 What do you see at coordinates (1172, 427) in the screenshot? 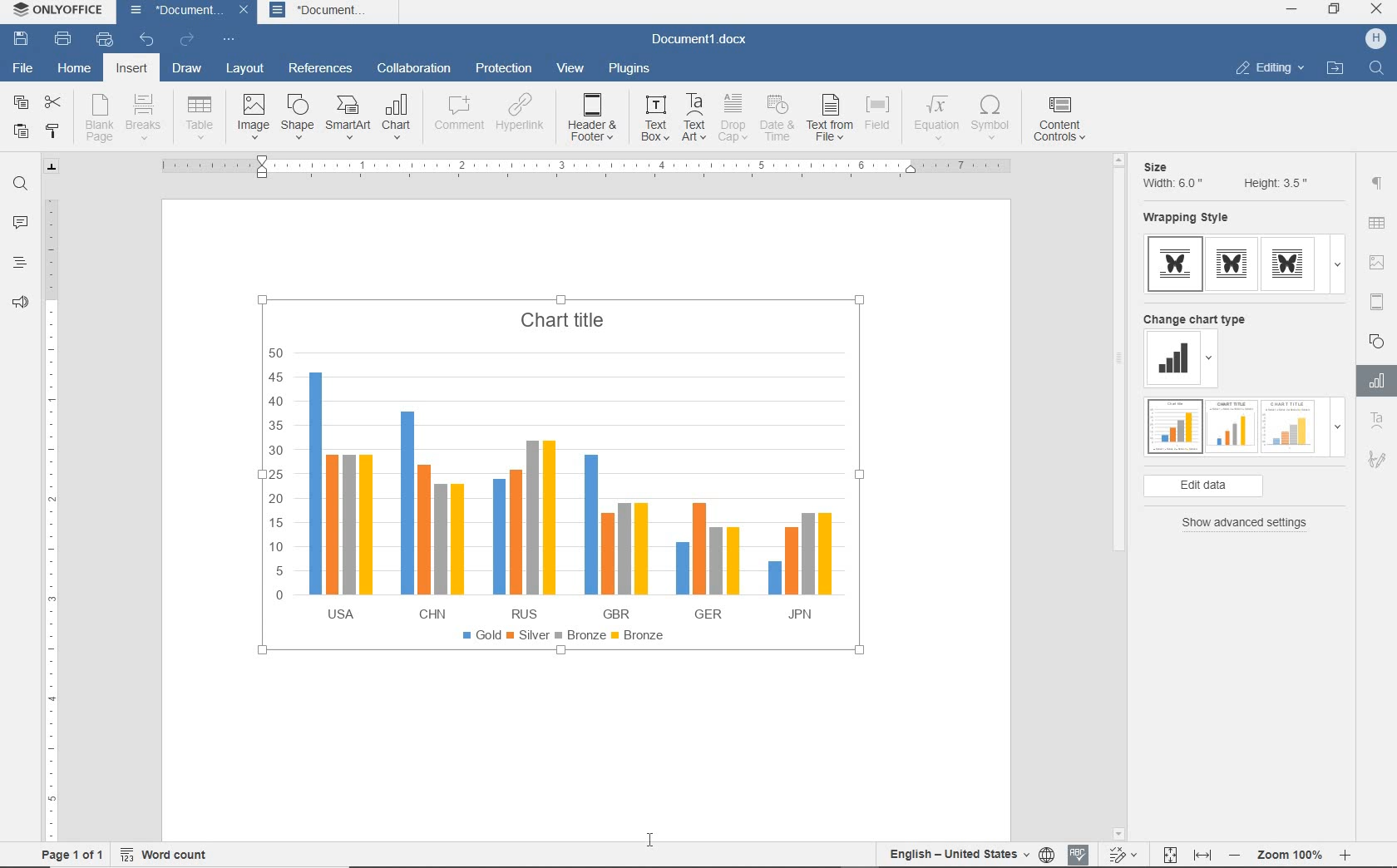
I see `type 1 ` at bounding box center [1172, 427].